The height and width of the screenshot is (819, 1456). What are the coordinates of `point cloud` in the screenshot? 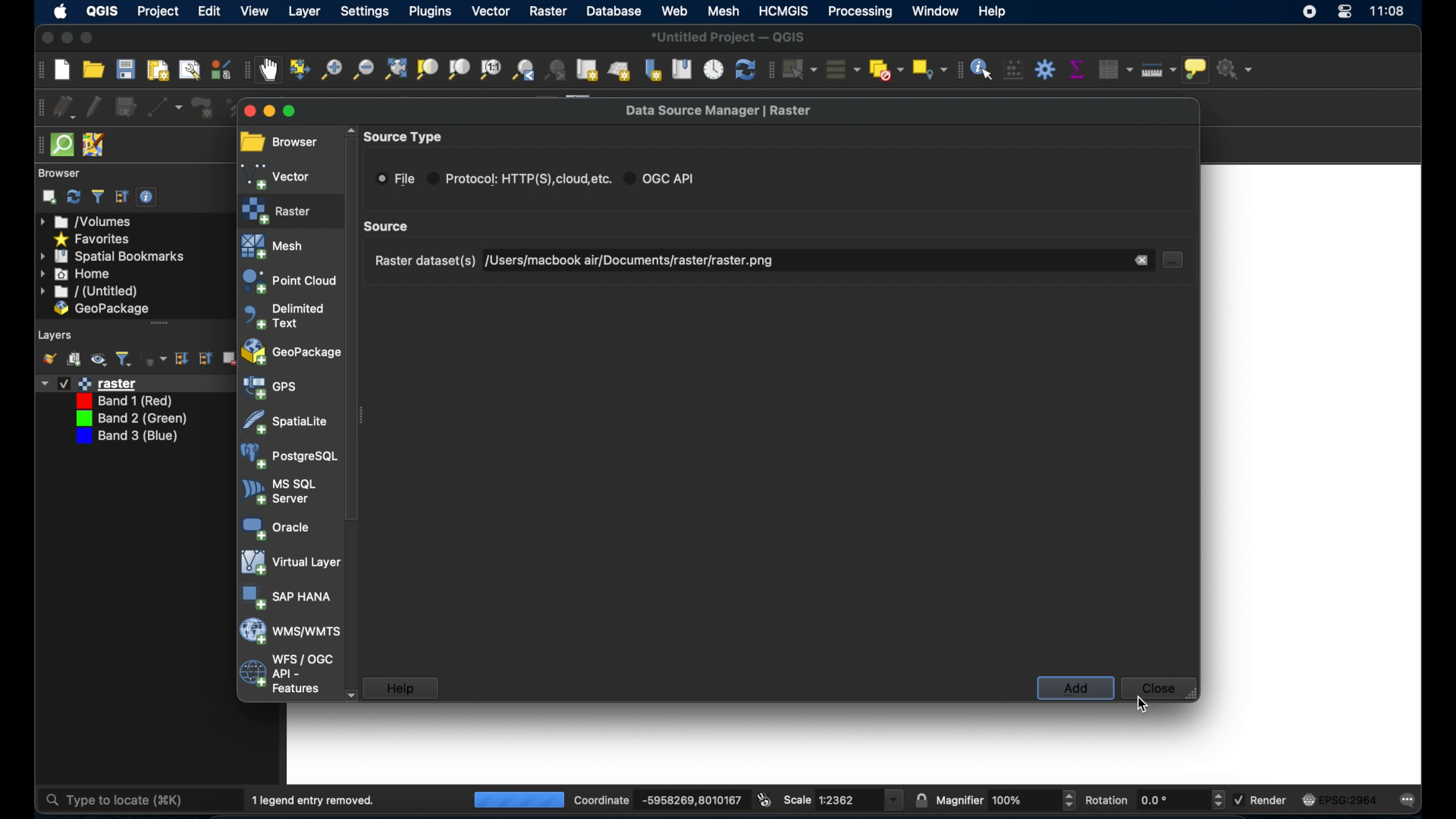 It's located at (288, 281).